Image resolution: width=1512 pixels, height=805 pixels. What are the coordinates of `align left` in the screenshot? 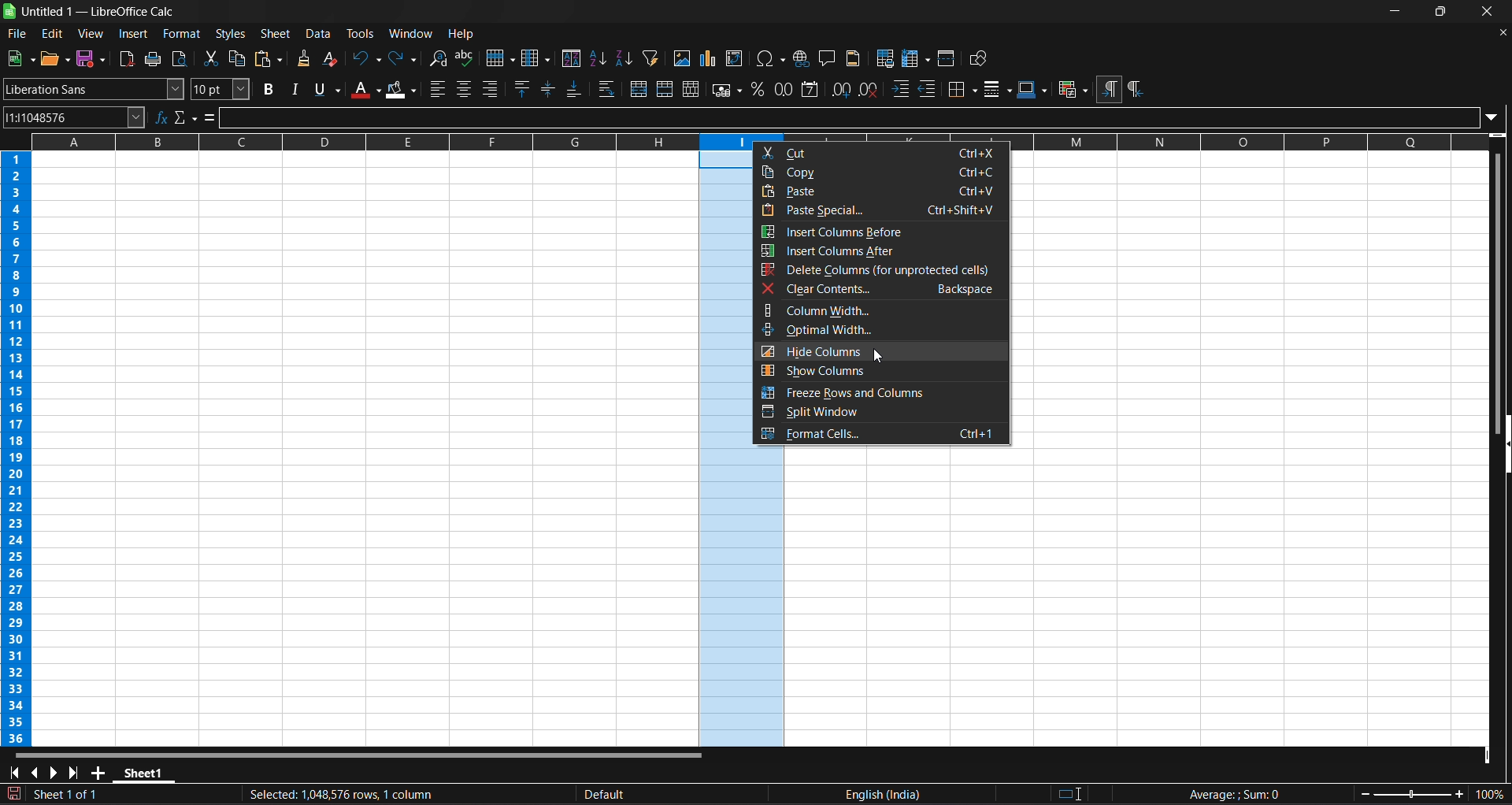 It's located at (435, 90).